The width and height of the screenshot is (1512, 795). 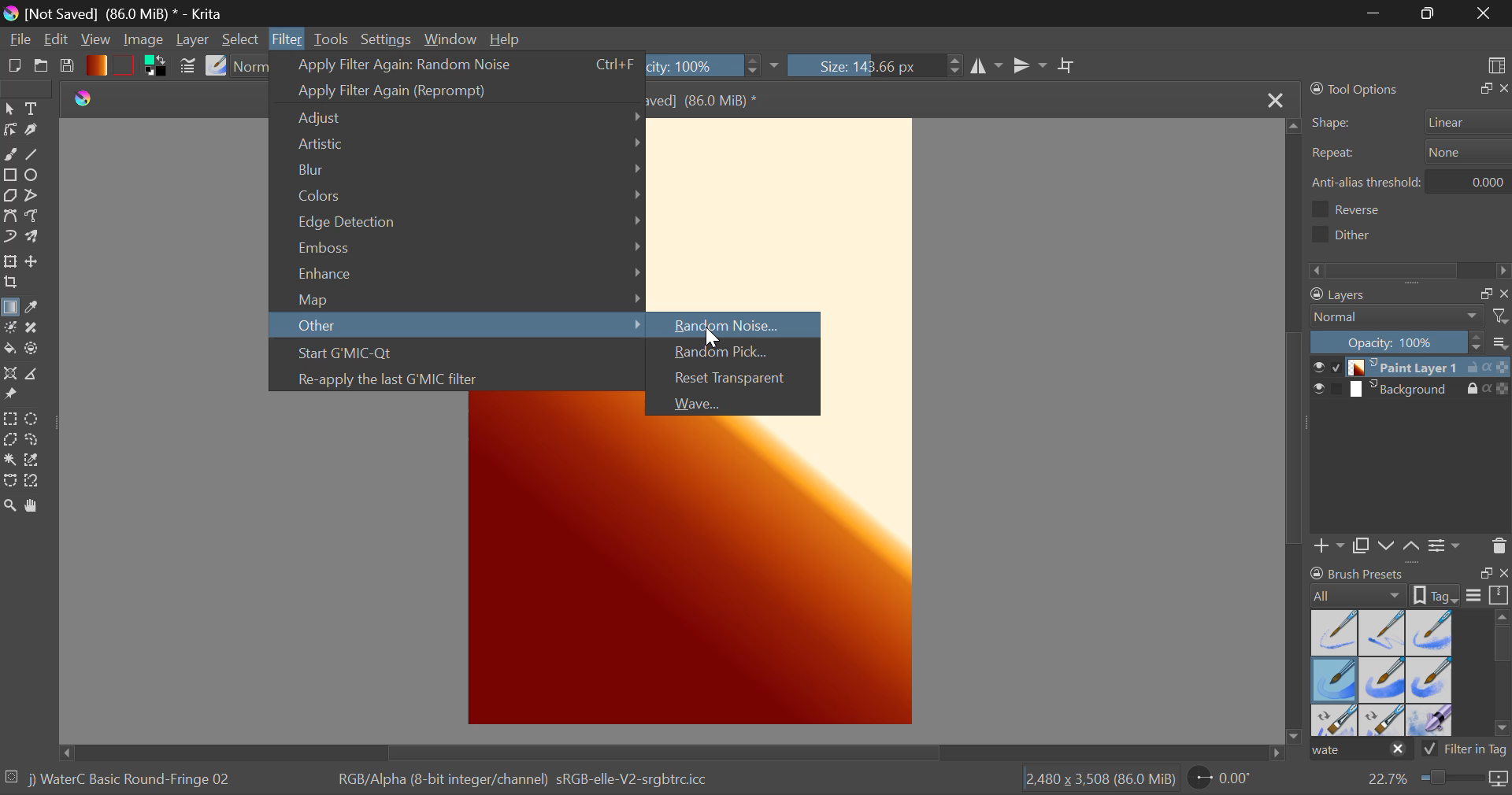 I want to click on [not saved] (86.0 Mib)*, so click(x=718, y=99).